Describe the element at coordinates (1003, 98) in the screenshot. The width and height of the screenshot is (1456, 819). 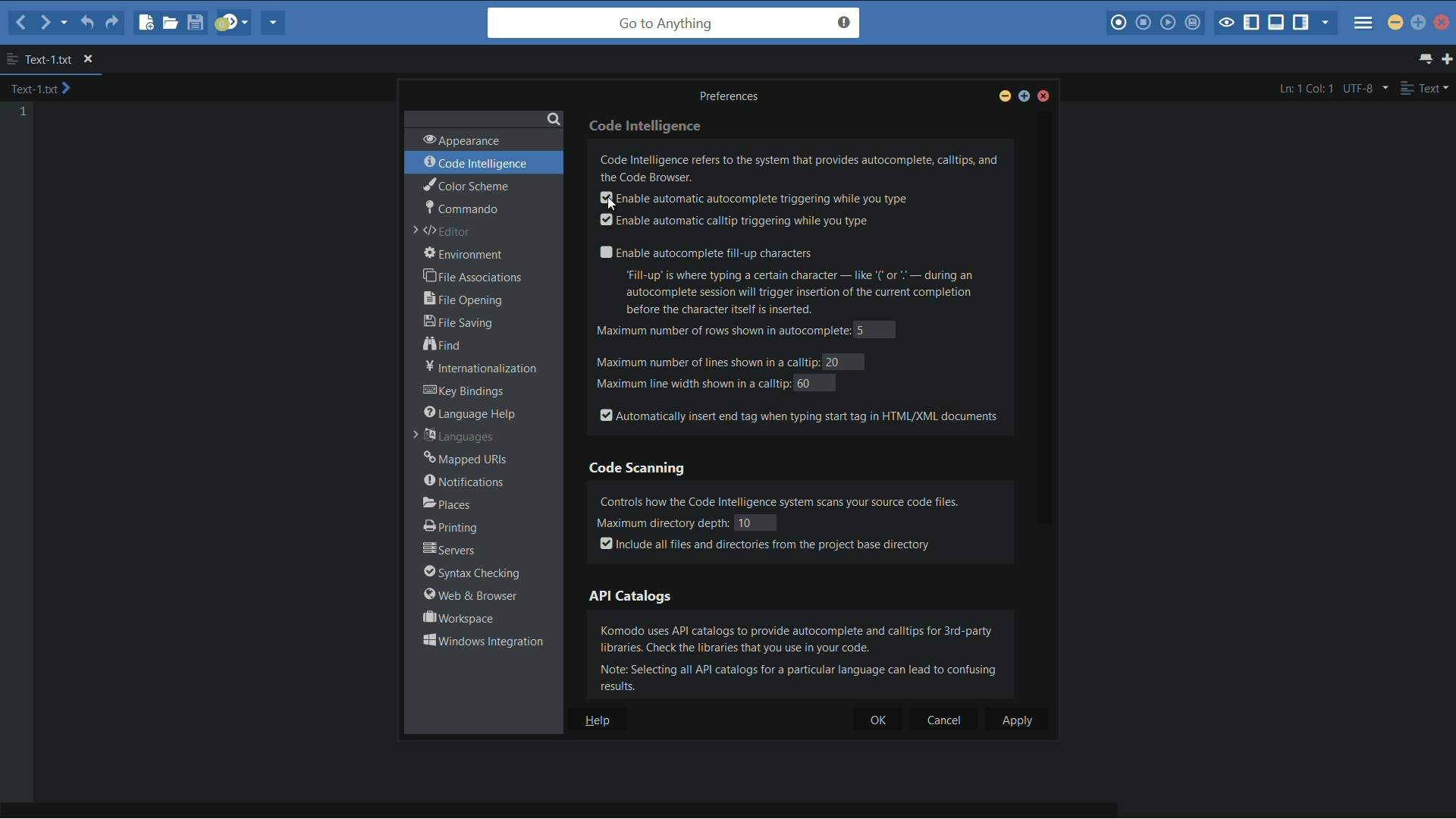
I see `minimize` at that location.